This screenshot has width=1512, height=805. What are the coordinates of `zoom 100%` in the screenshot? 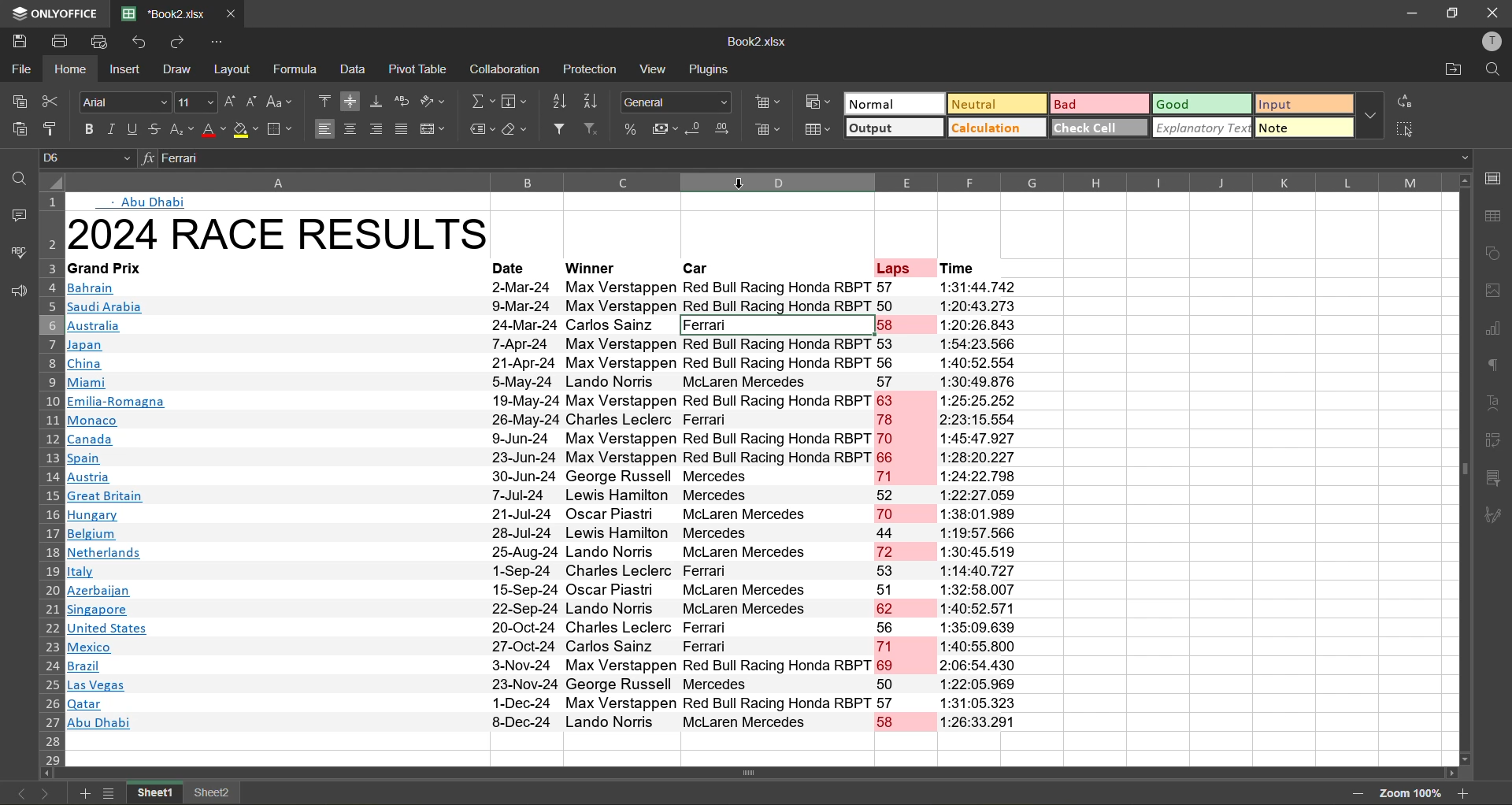 It's located at (1414, 796).